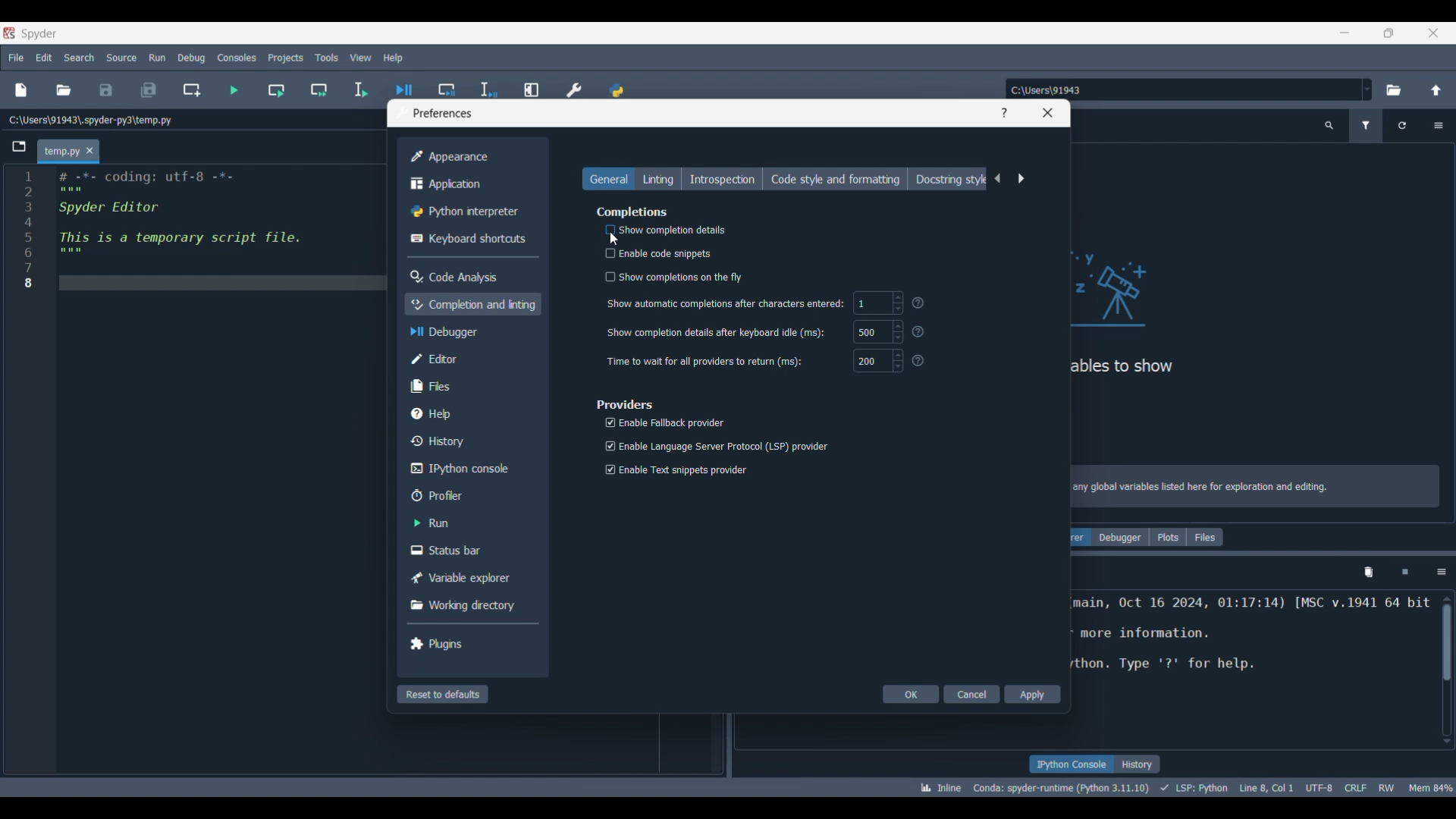 Image resolution: width=1456 pixels, height=819 pixels. Describe the element at coordinates (361, 58) in the screenshot. I see `View menu` at that location.